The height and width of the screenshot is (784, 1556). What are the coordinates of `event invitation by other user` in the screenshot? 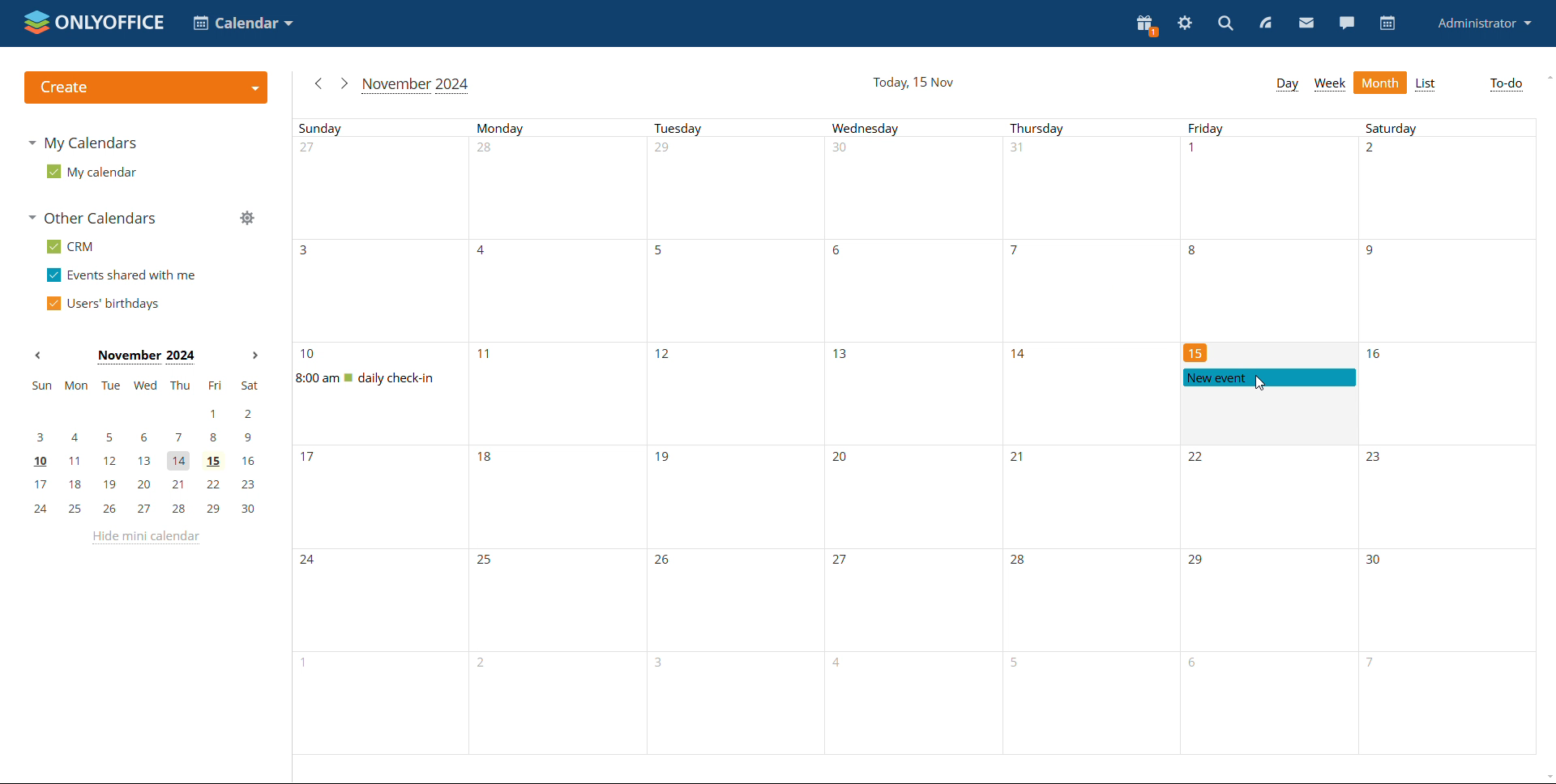 It's located at (1268, 377).